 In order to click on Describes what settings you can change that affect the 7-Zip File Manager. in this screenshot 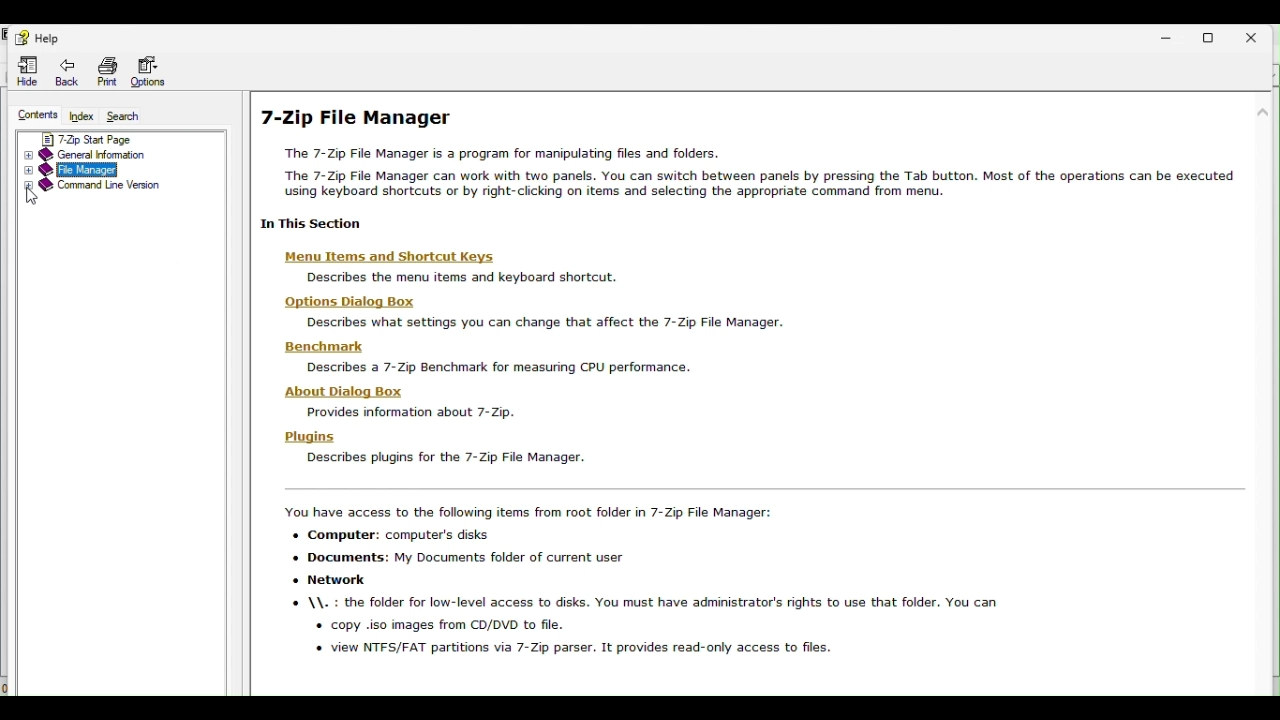, I will do `click(537, 323)`.